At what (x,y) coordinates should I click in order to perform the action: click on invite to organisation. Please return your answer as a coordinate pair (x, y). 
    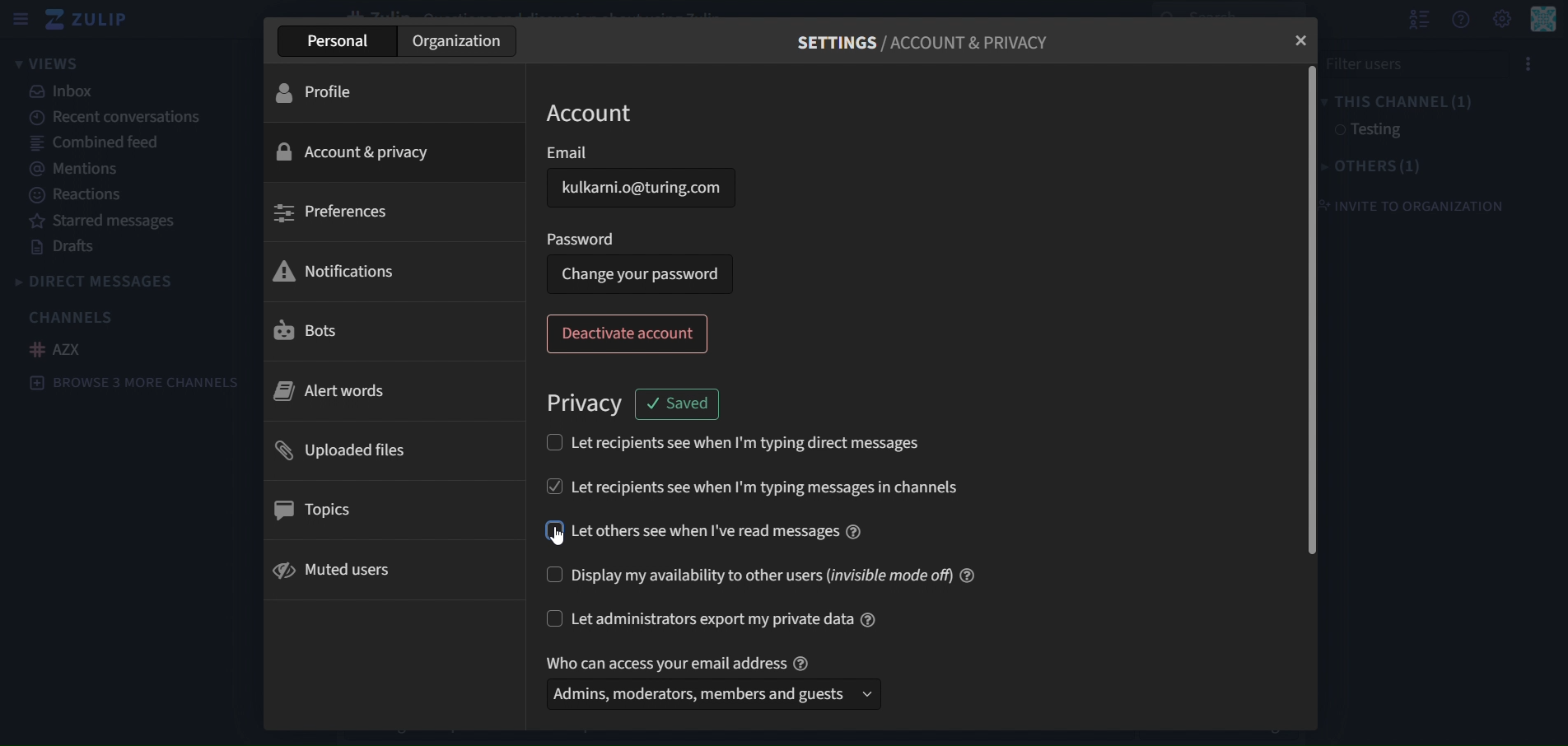
    Looking at the image, I should click on (1425, 200).